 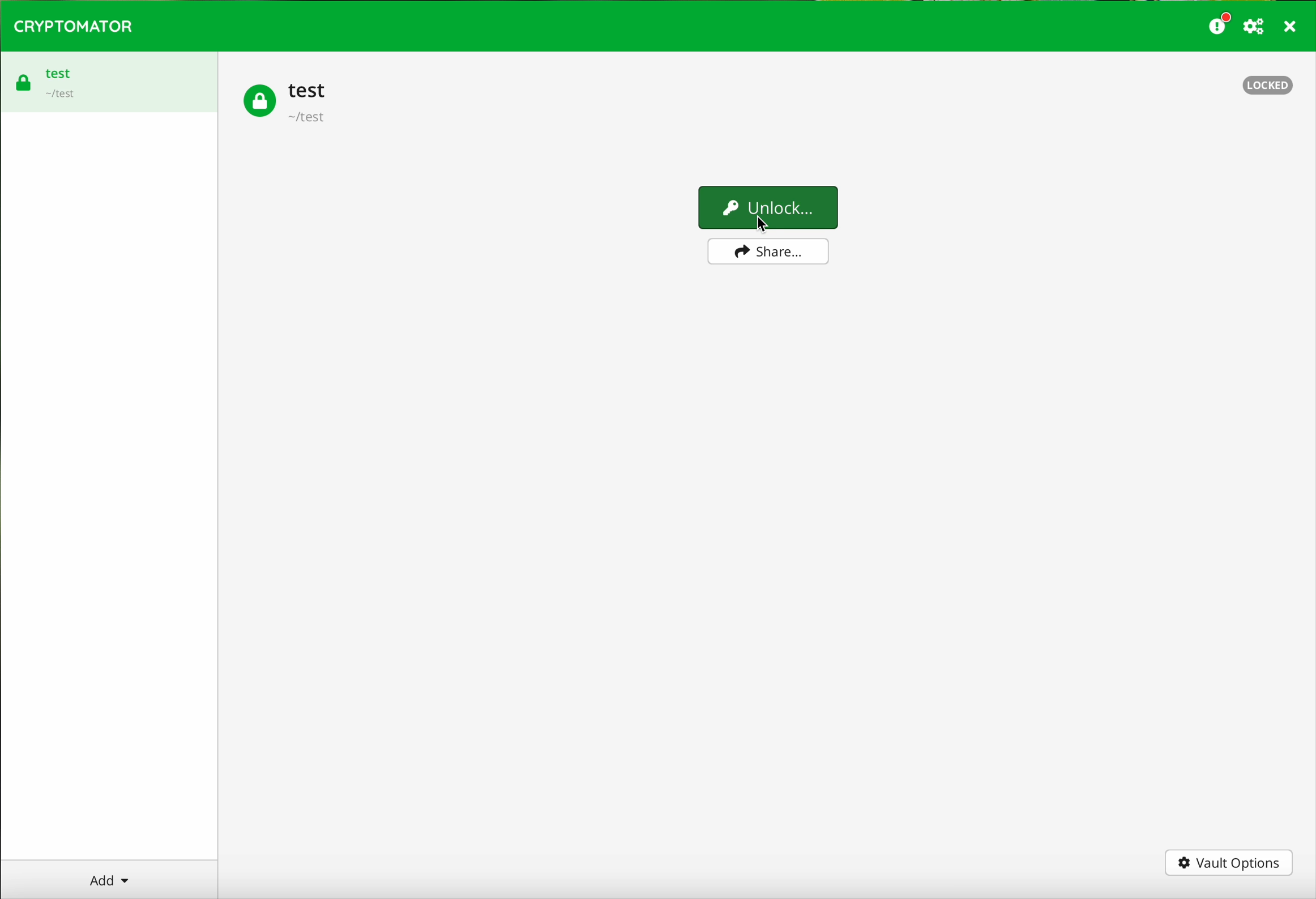 What do you see at coordinates (1291, 28) in the screenshot?
I see `close` at bounding box center [1291, 28].